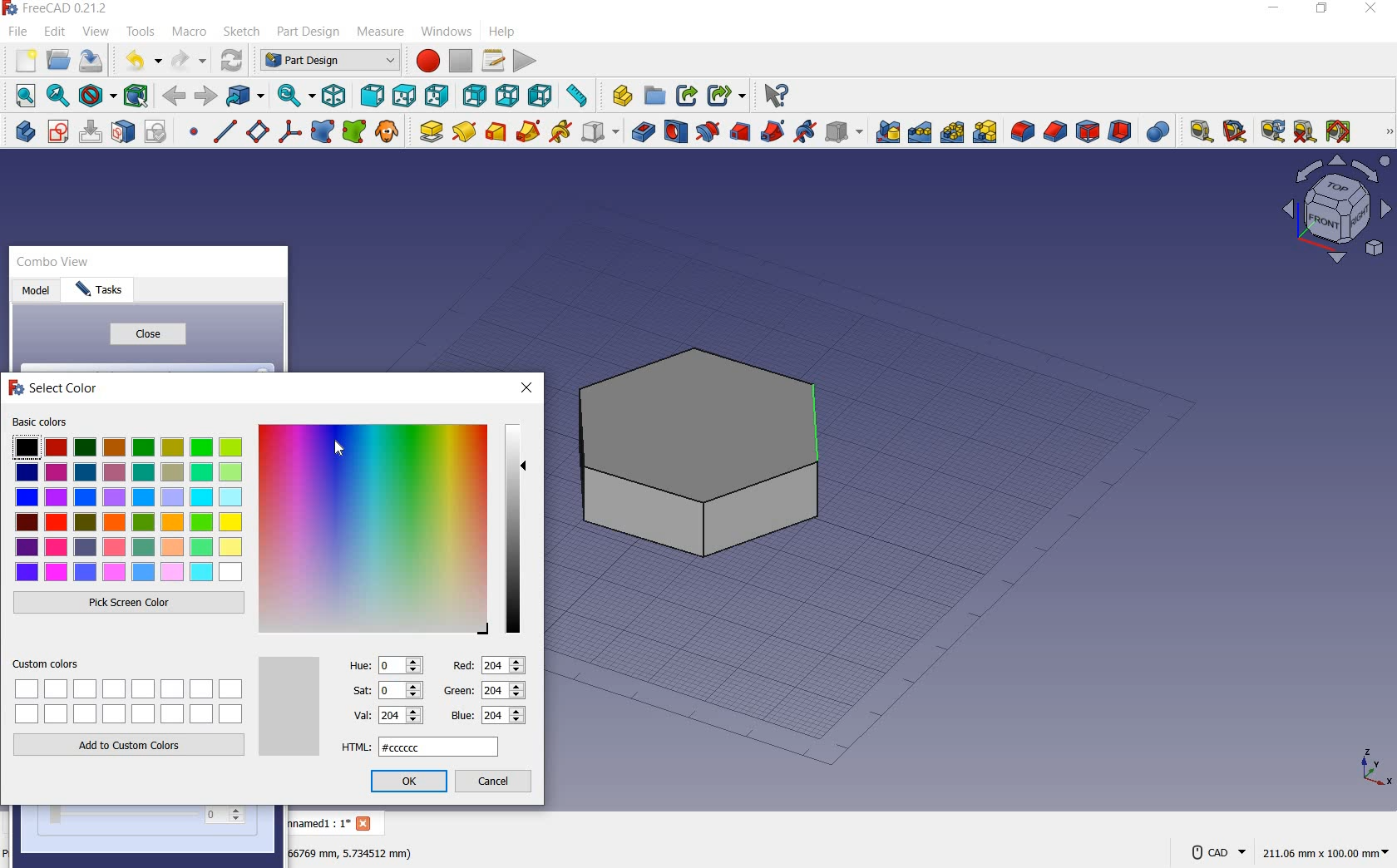  What do you see at coordinates (247, 96) in the screenshot?
I see `go to linked object` at bounding box center [247, 96].